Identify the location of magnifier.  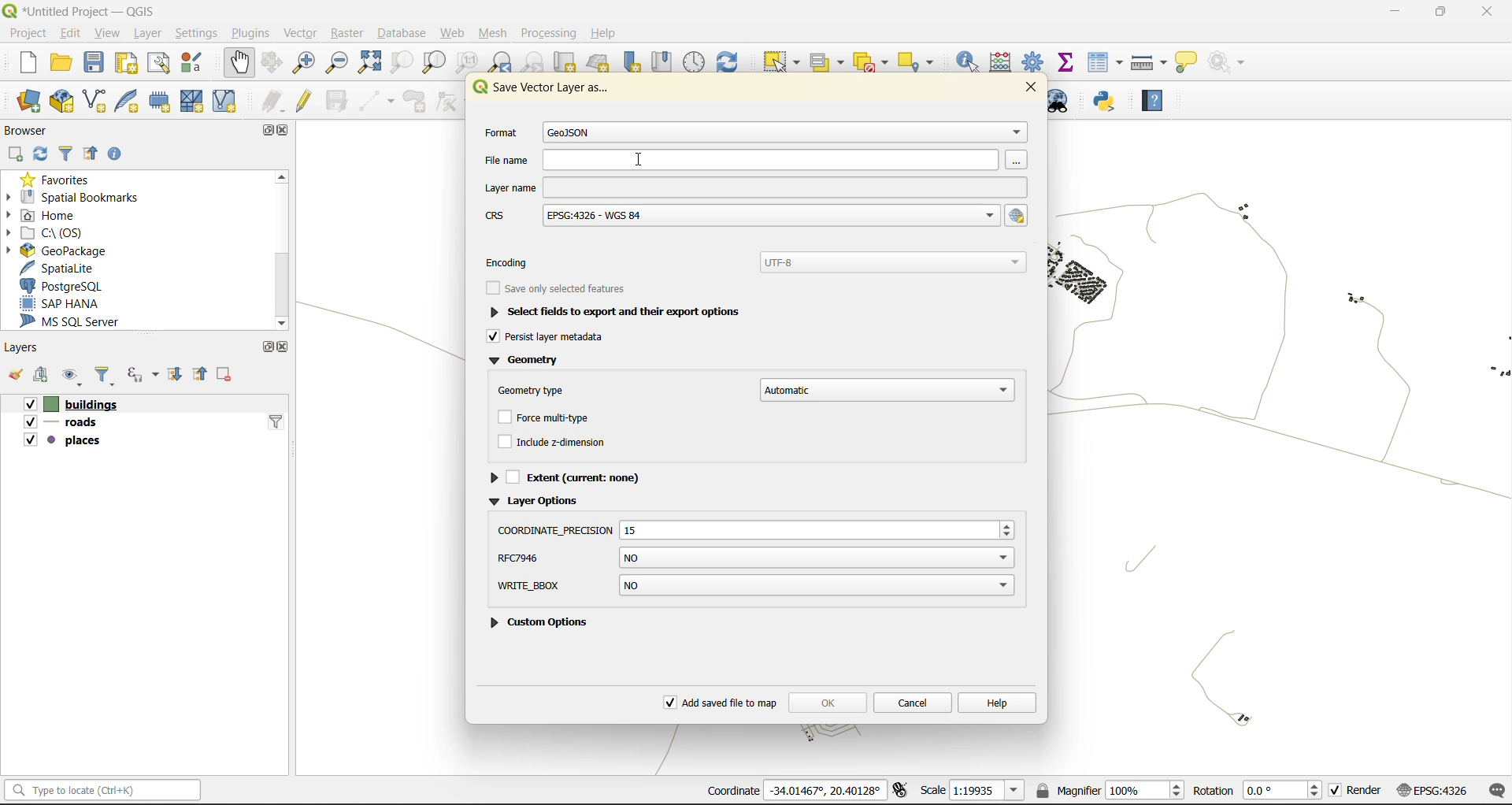
(1109, 792).